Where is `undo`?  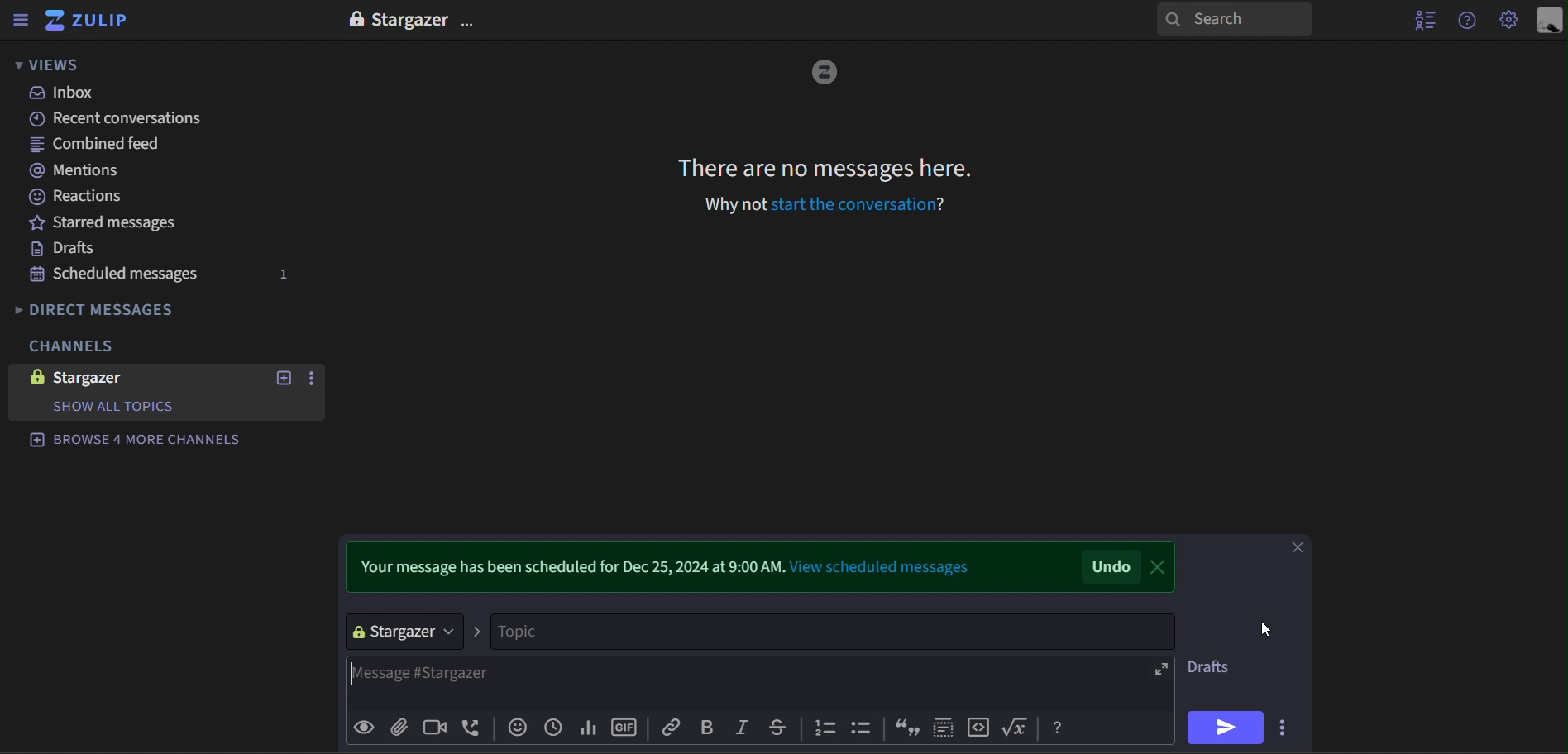 undo is located at coordinates (1112, 567).